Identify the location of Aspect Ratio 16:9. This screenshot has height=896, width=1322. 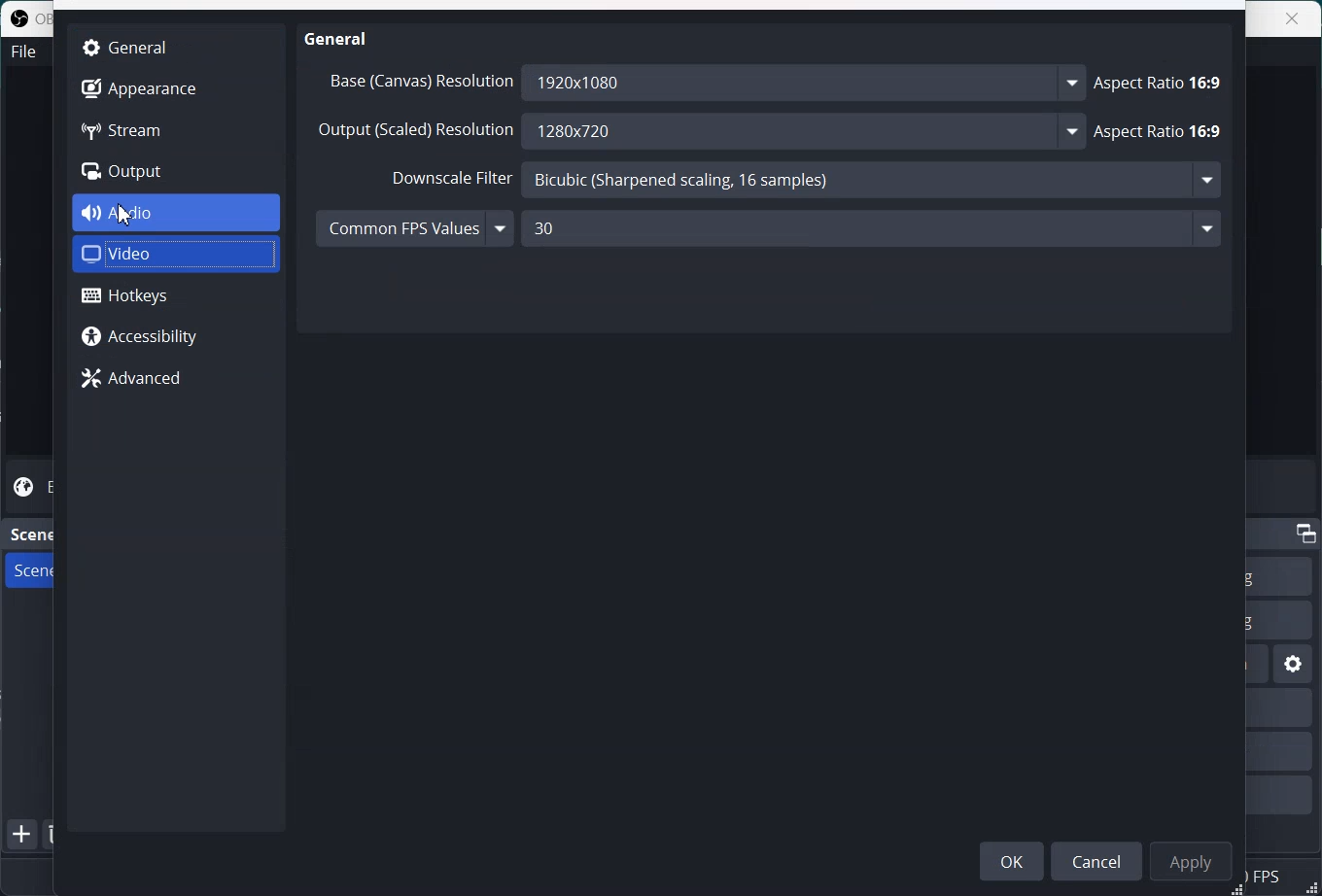
(1160, 106).